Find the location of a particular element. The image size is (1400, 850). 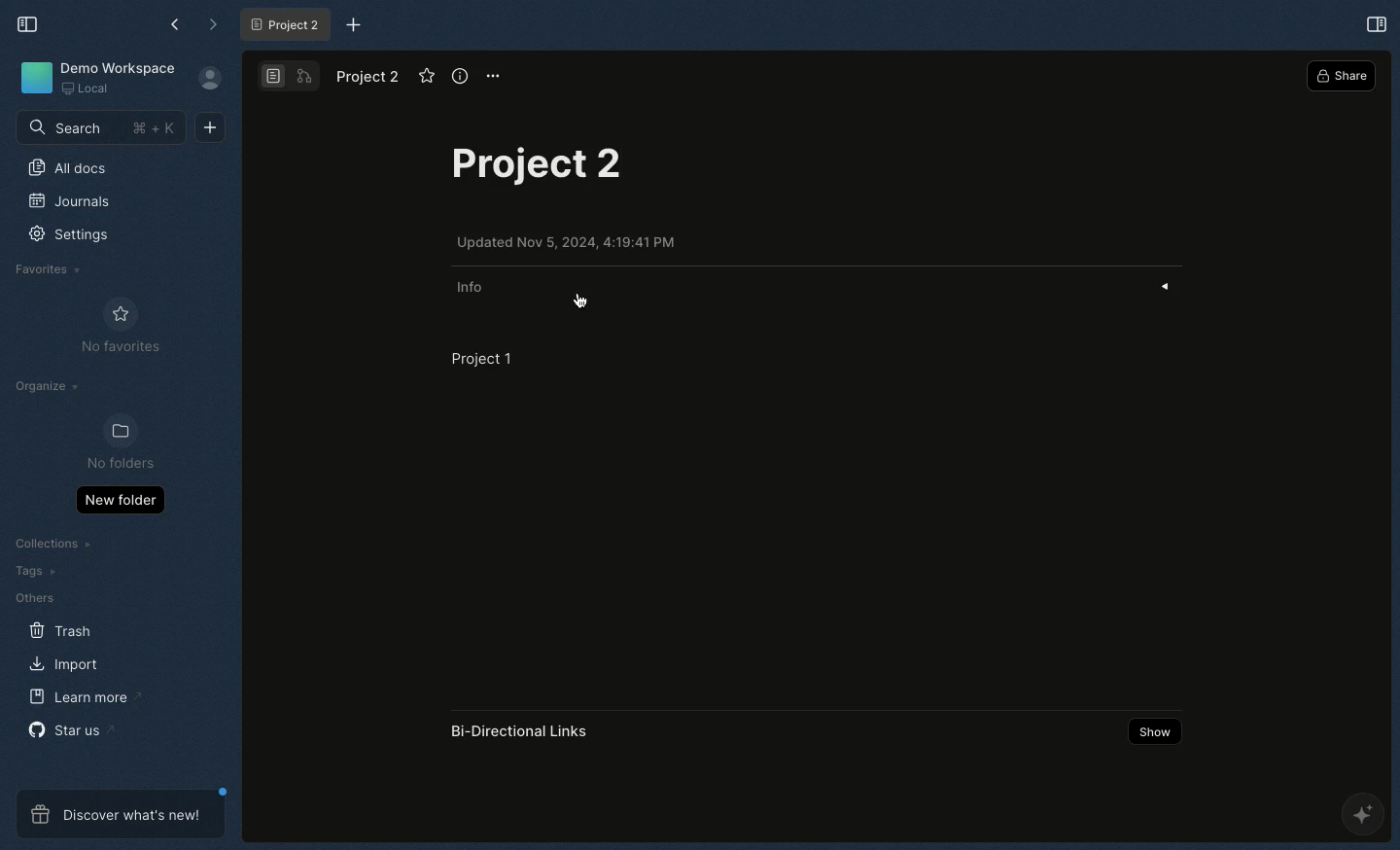

cursor is located at coordinates (597, 301).